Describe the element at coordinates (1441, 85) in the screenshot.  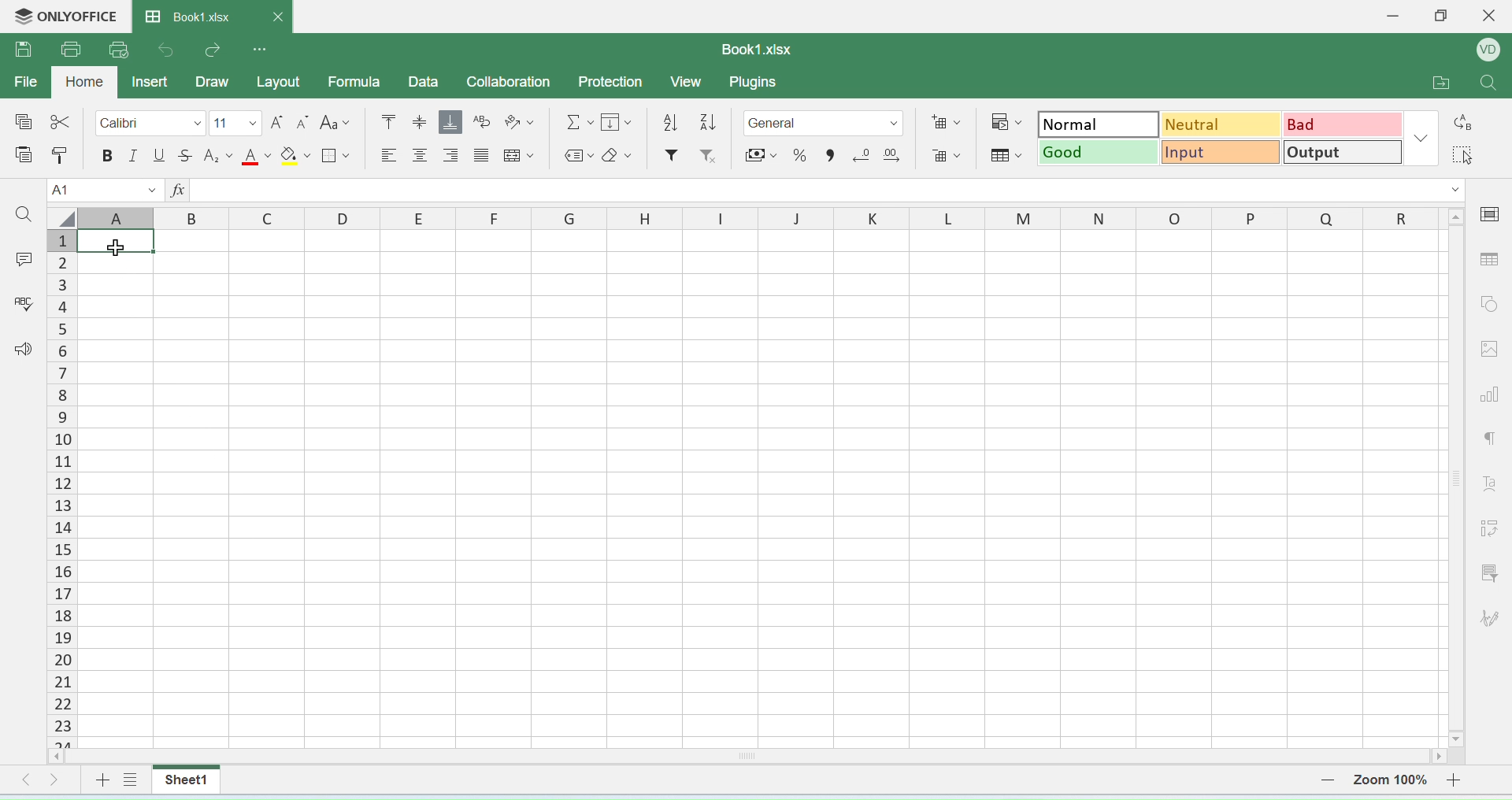
I see `open folder` at that location.